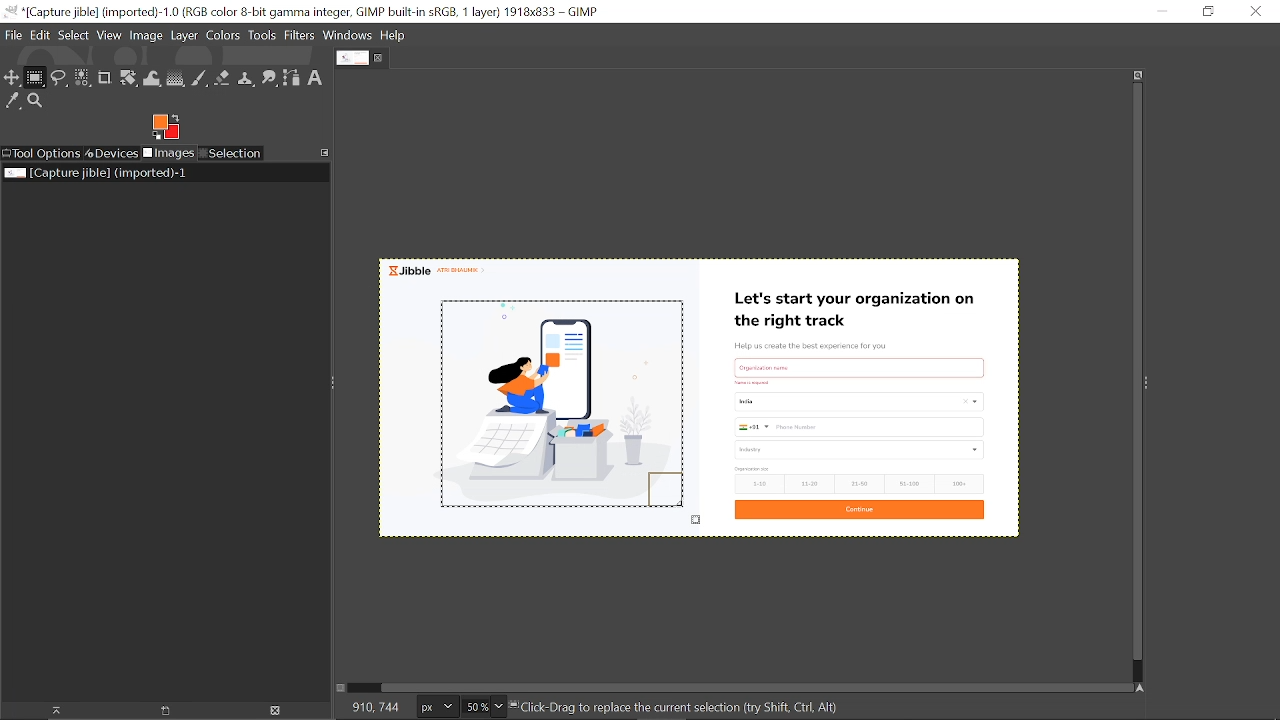  Describe the element at coordinates (112, 153) in the screenshot. I see `Devices` at that location.